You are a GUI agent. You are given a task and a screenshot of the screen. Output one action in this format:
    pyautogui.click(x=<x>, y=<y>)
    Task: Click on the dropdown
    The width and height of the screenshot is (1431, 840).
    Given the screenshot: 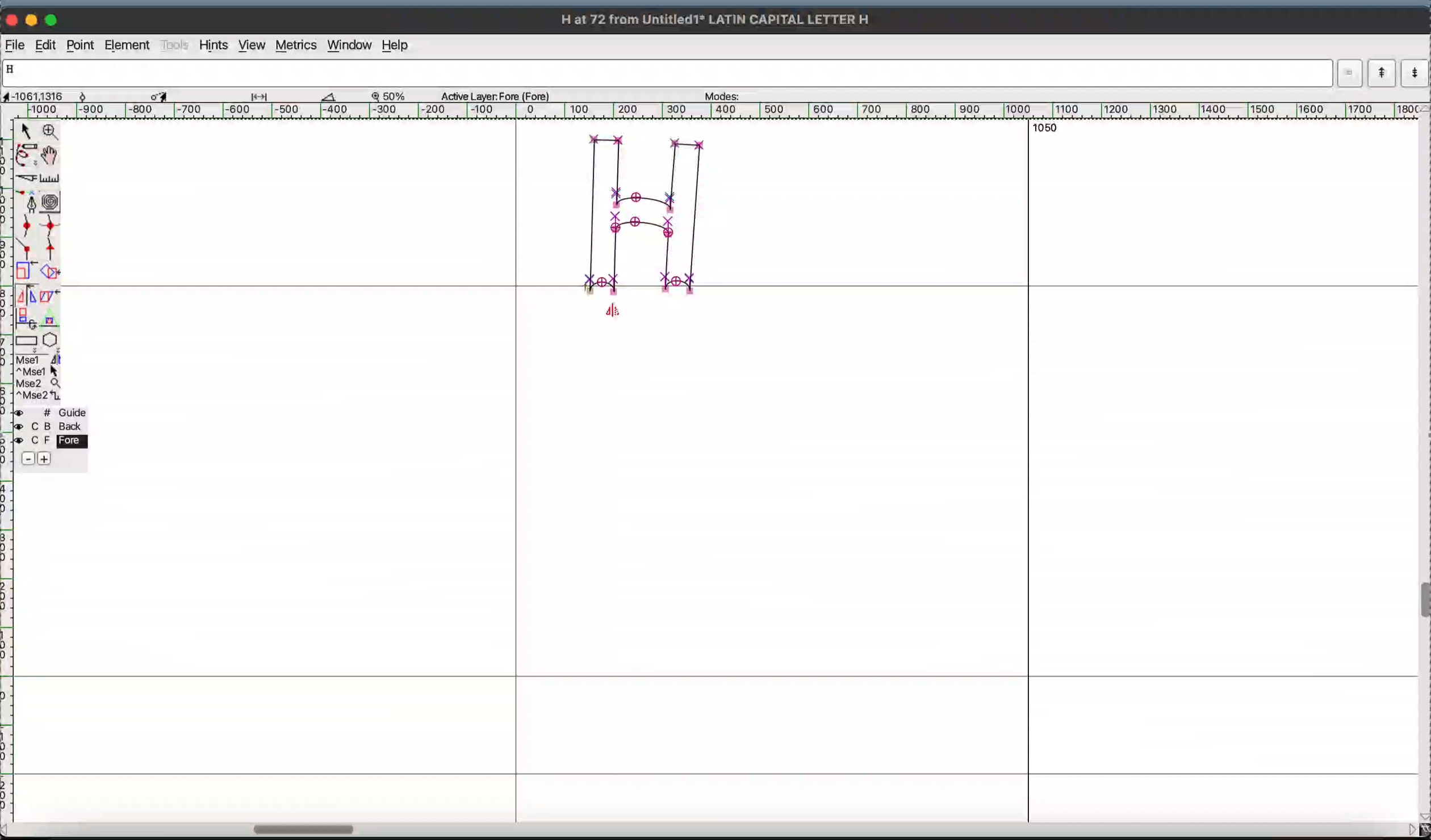 What is the action you would take?
    pyautogui.click(x=1351, y=73)
    